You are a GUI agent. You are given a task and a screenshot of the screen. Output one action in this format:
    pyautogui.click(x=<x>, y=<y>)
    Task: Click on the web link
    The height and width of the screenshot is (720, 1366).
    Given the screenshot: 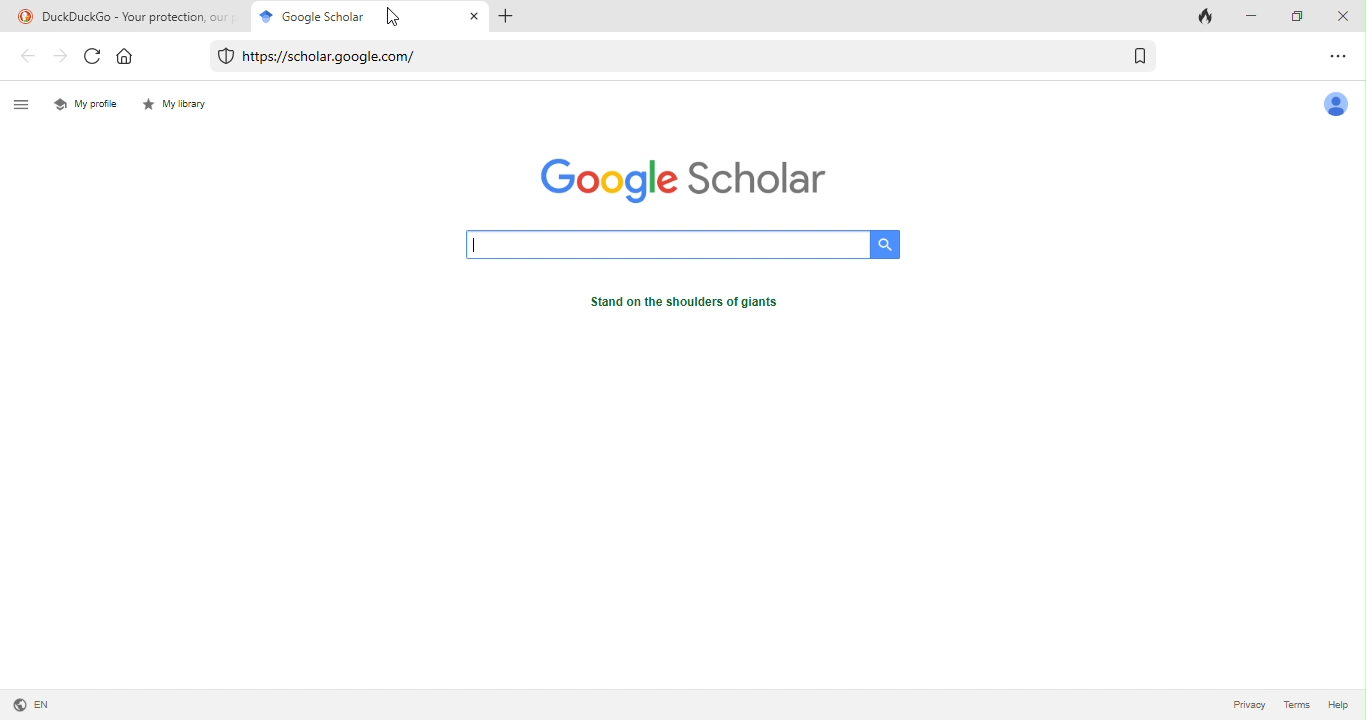 What is the action you would take?
    pyautogui.click(x=657, y=57)
    